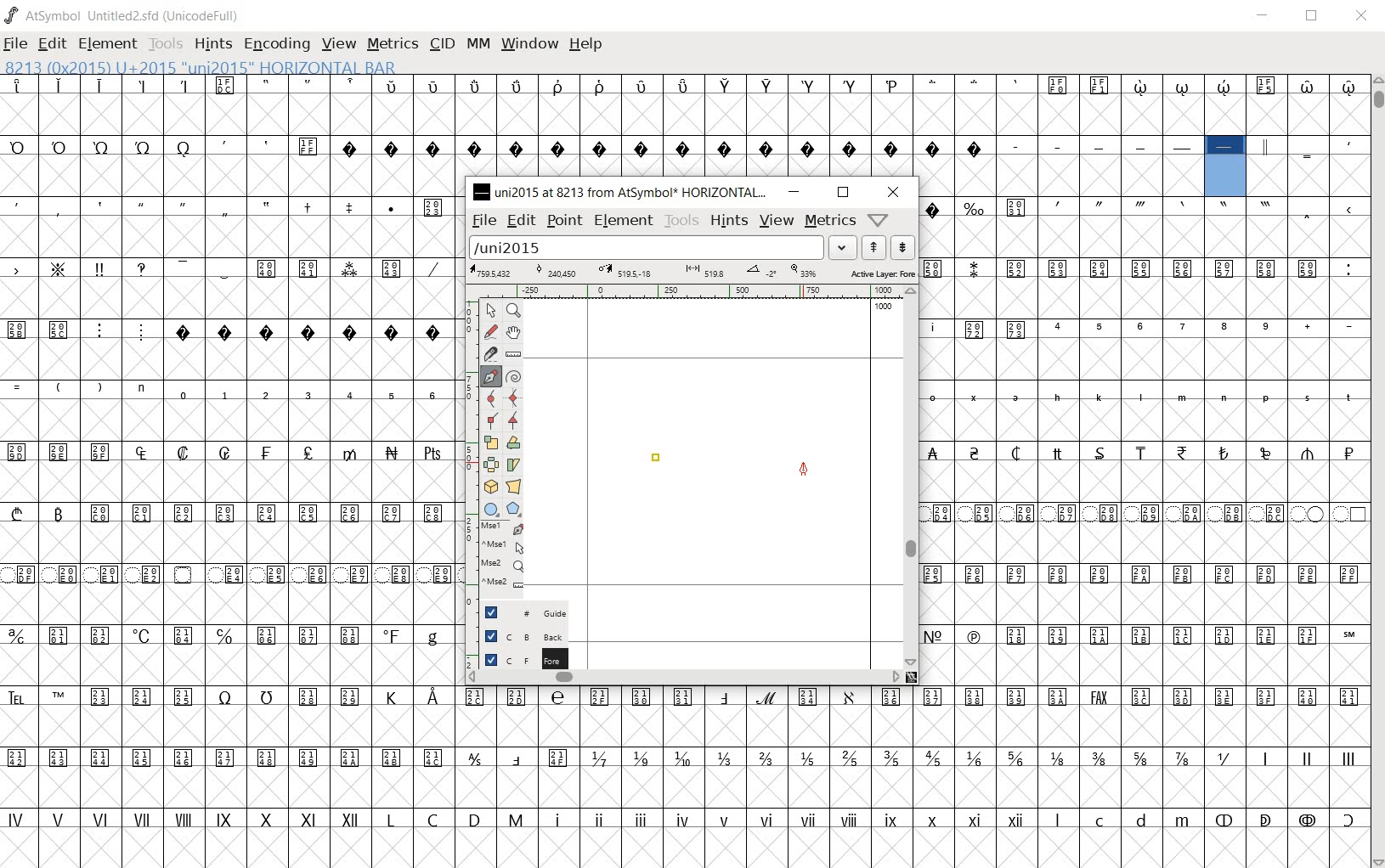  I want to click on HELP, so click(588, 43).